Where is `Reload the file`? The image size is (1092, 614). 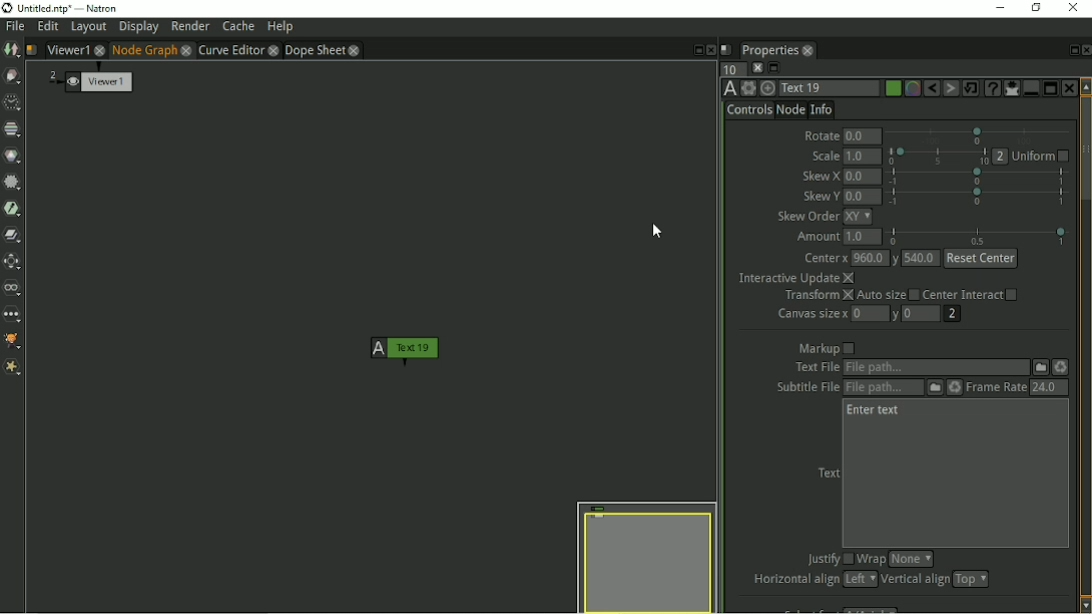 Reload the file is located at coordinates (953, 388).